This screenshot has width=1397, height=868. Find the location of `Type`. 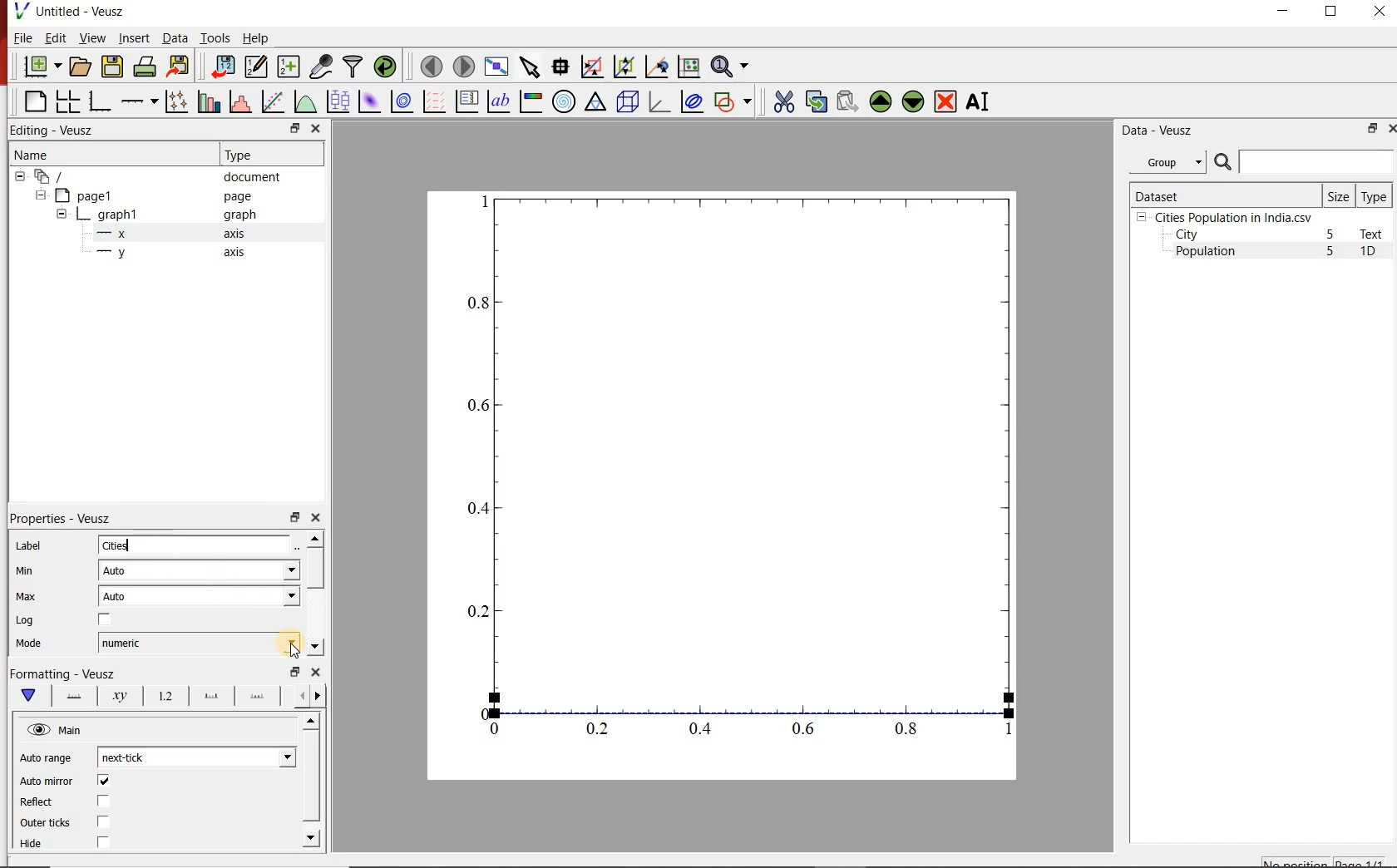

Type is located at coordinates (269, 155).